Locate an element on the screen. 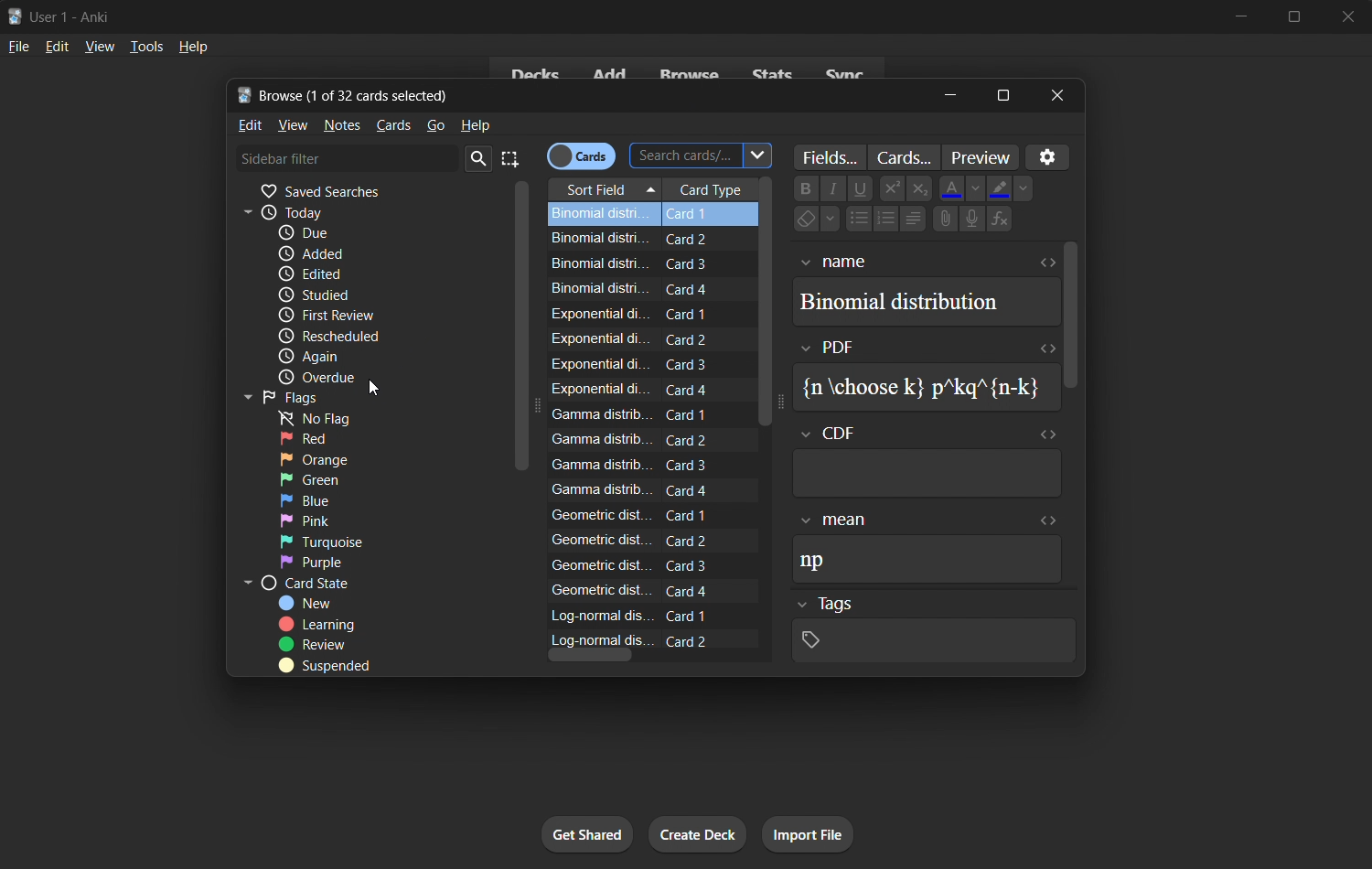  new is located at coordinates (317, 604).